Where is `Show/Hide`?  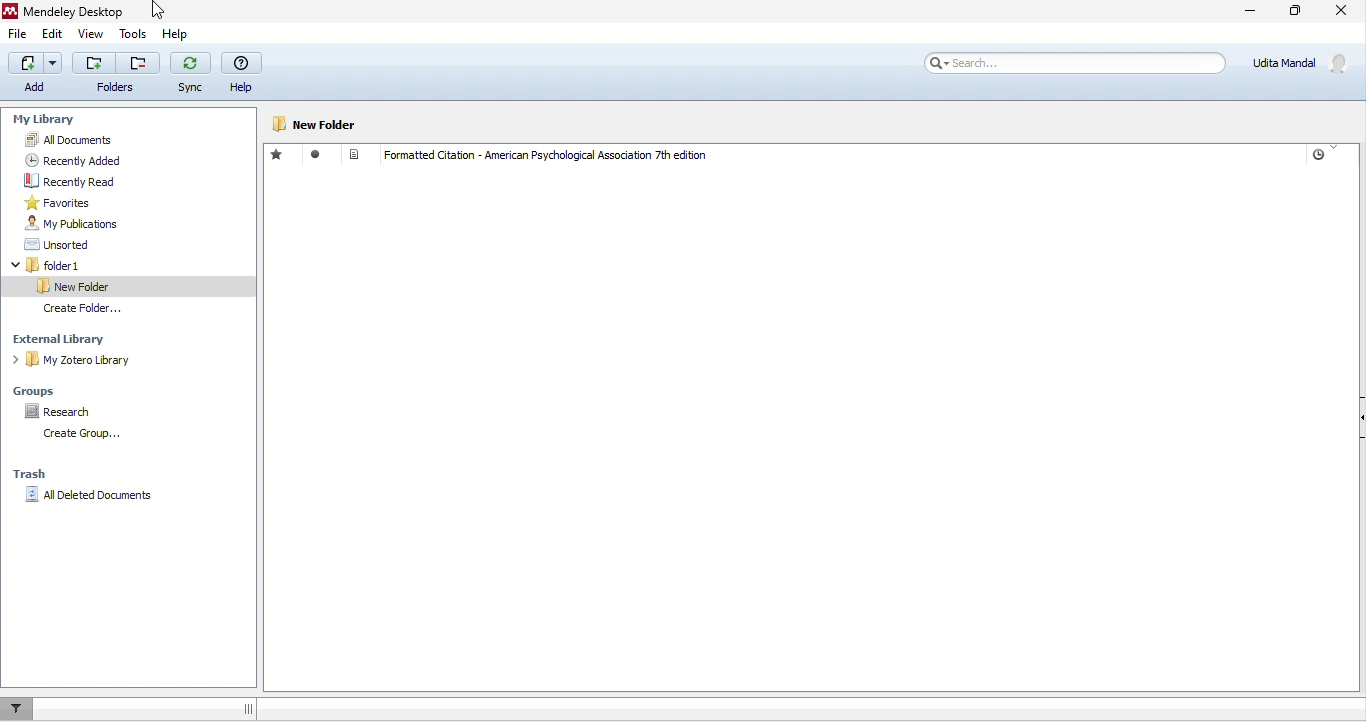 Show/Hide is located at coordinates (1362, 417).